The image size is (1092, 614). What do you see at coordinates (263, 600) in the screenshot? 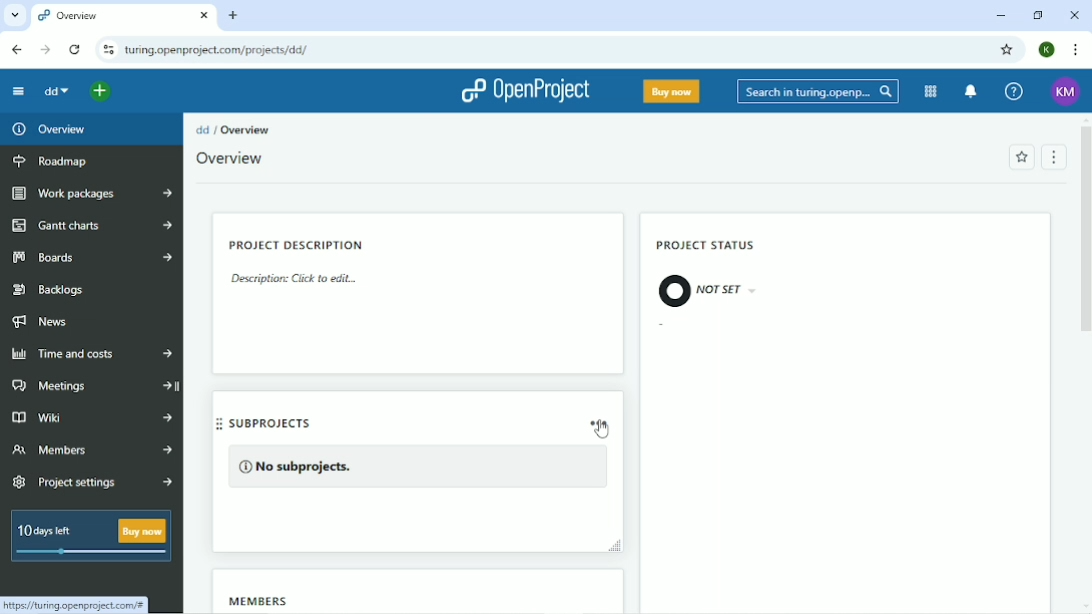
I see `Members` at bounding box center [263, 600].